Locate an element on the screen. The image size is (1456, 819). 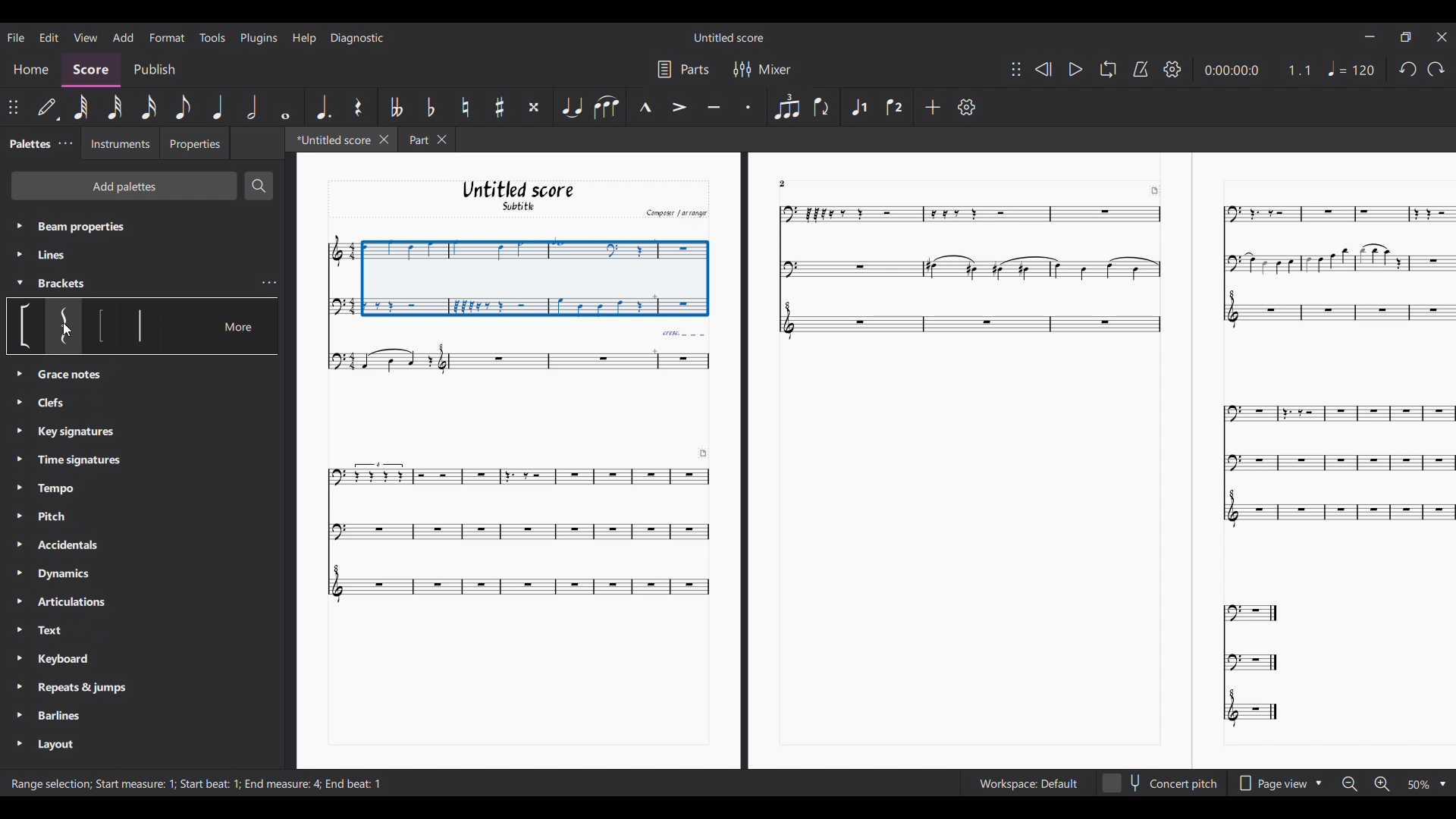
Toggle sharp is located at coordinates (500, 107).